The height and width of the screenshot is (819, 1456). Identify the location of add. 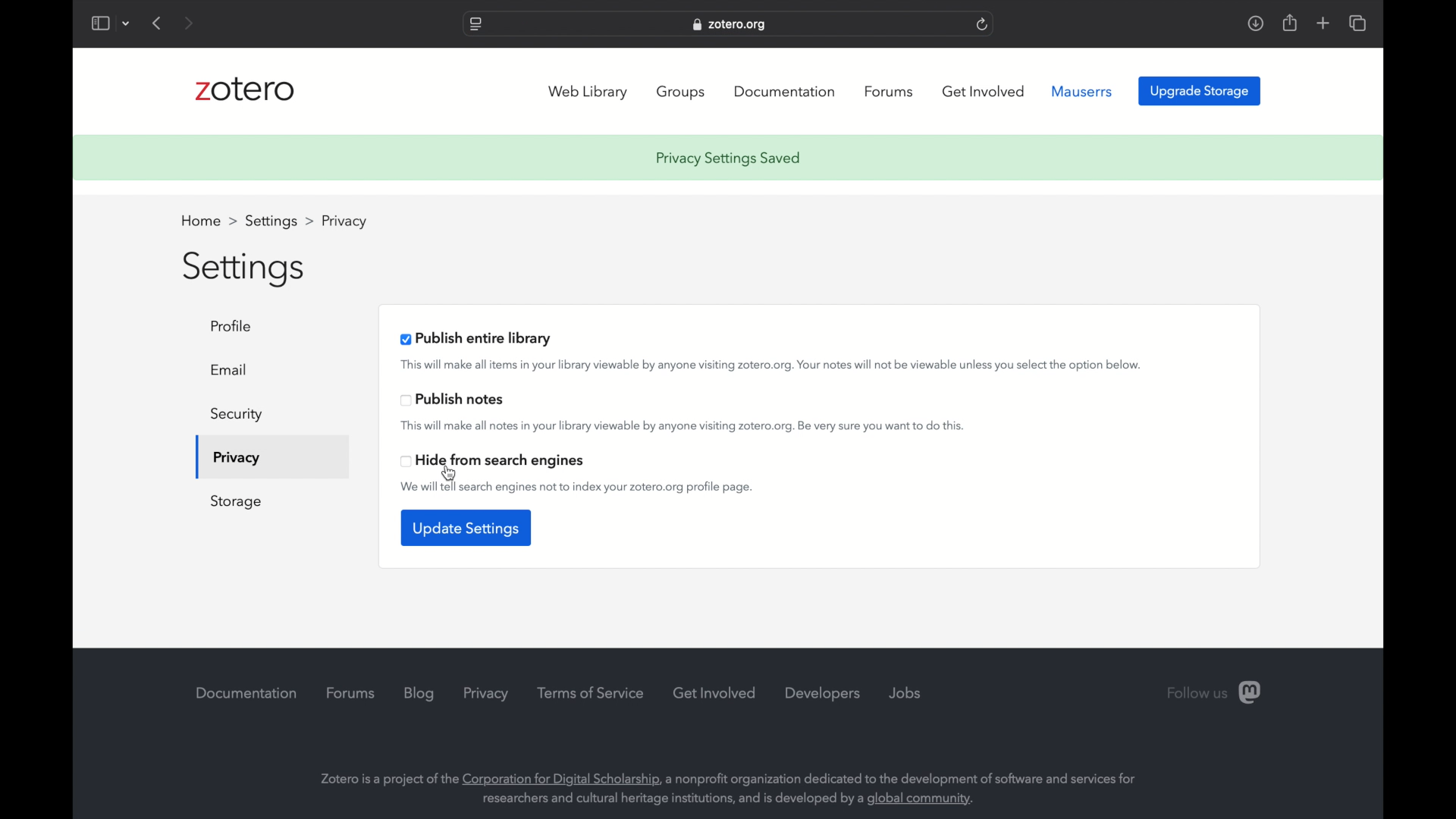
(1324, 23).